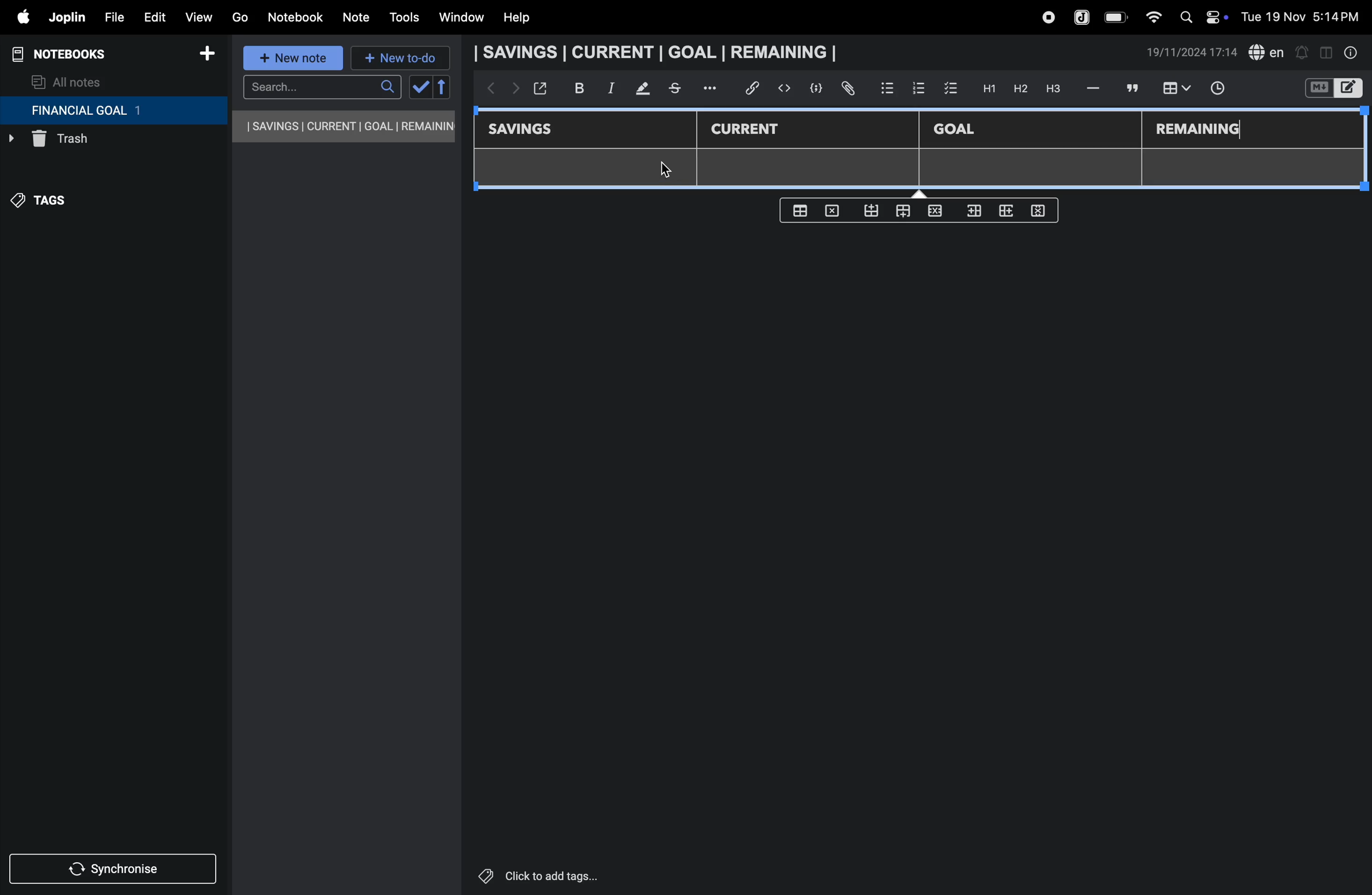 This screenshot has width=1372, height=895. Describe the element at coordinates (1326, 51) in the screenshot. I see `toggle editor` at that location.